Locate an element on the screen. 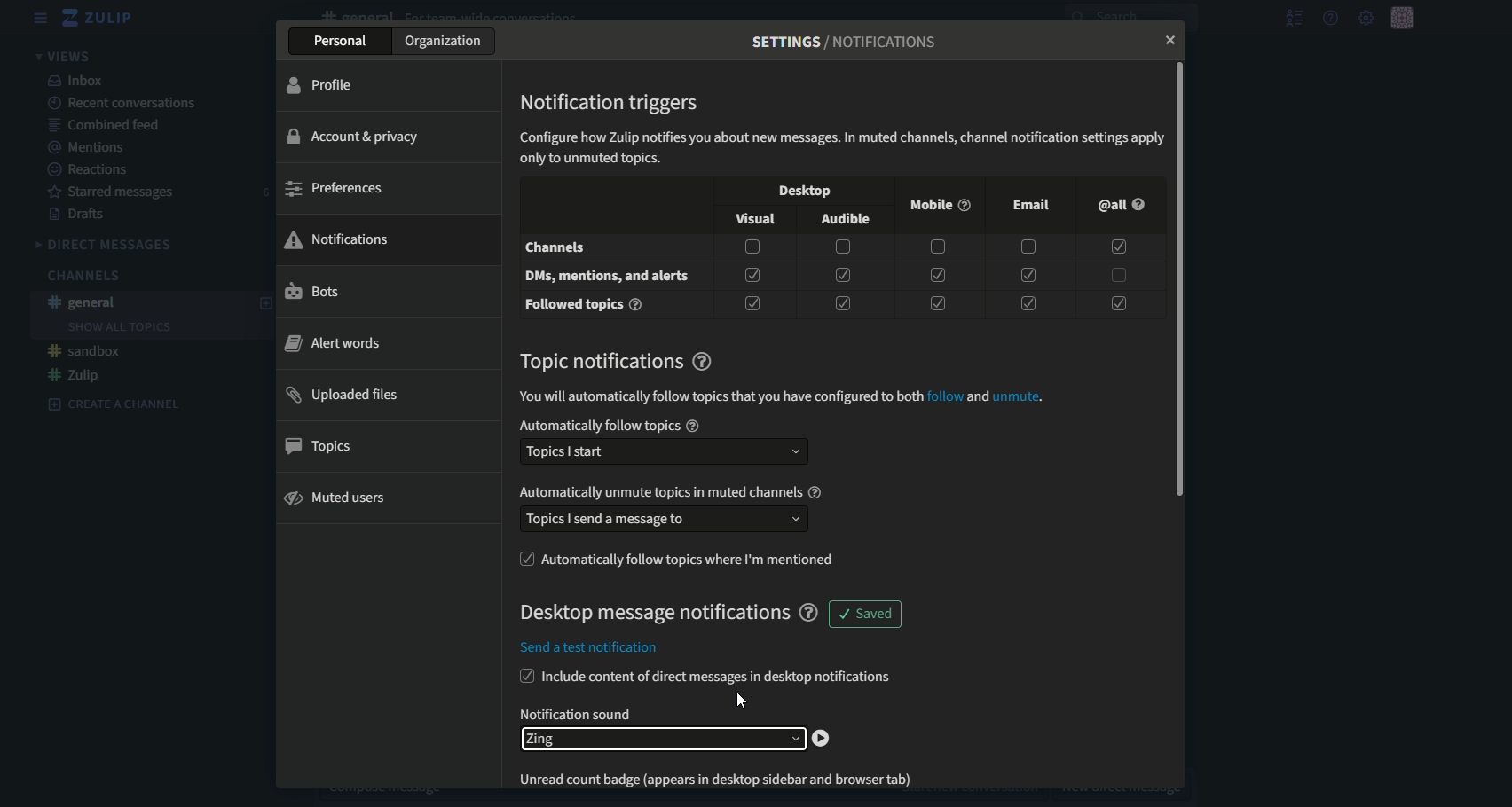 The height and width of the screenshot is (807, 1512). preference is located at coordinates (334, 189).